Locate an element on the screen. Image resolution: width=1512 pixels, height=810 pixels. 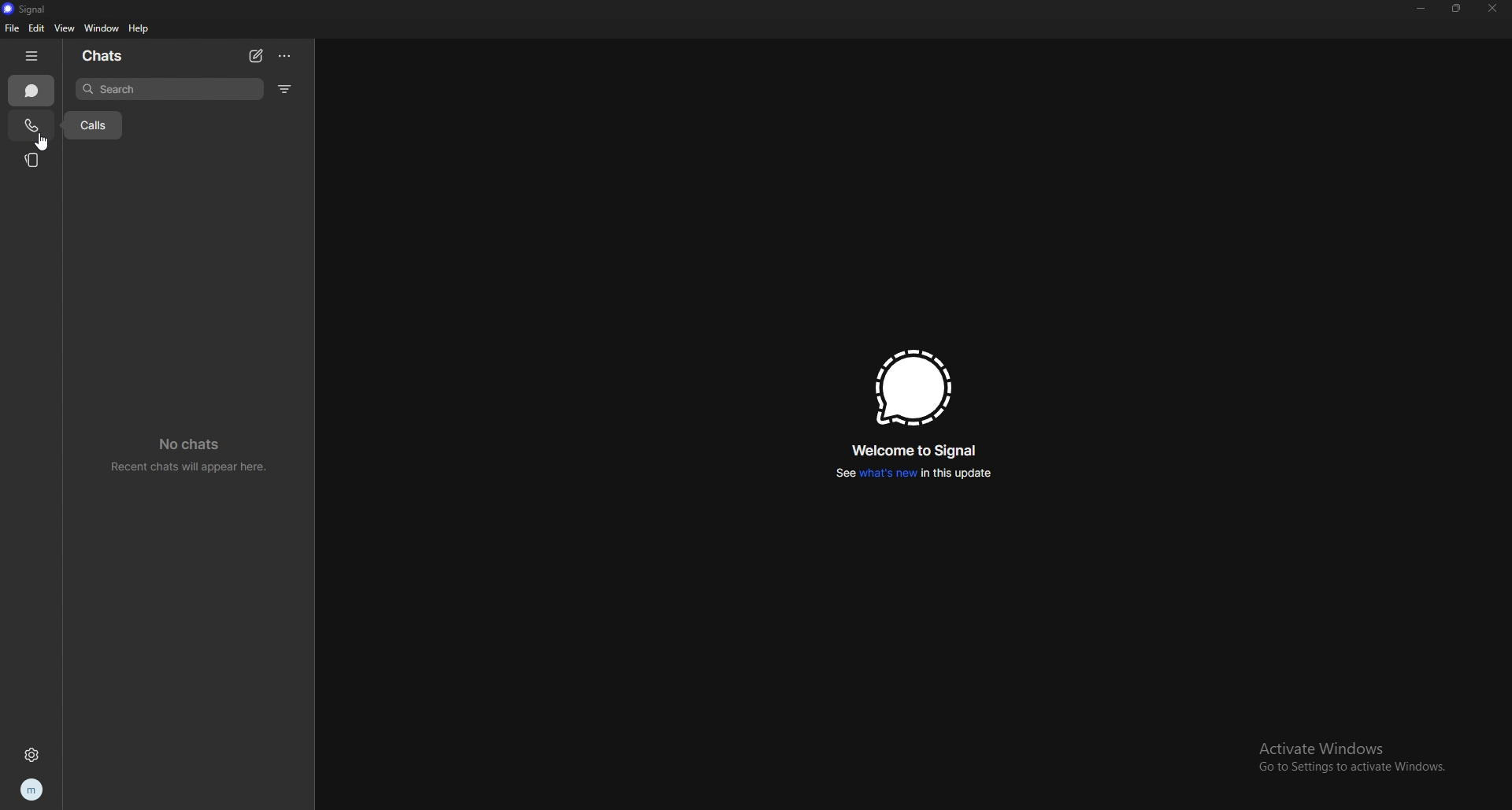
edit is located at coordinates (37, 28).